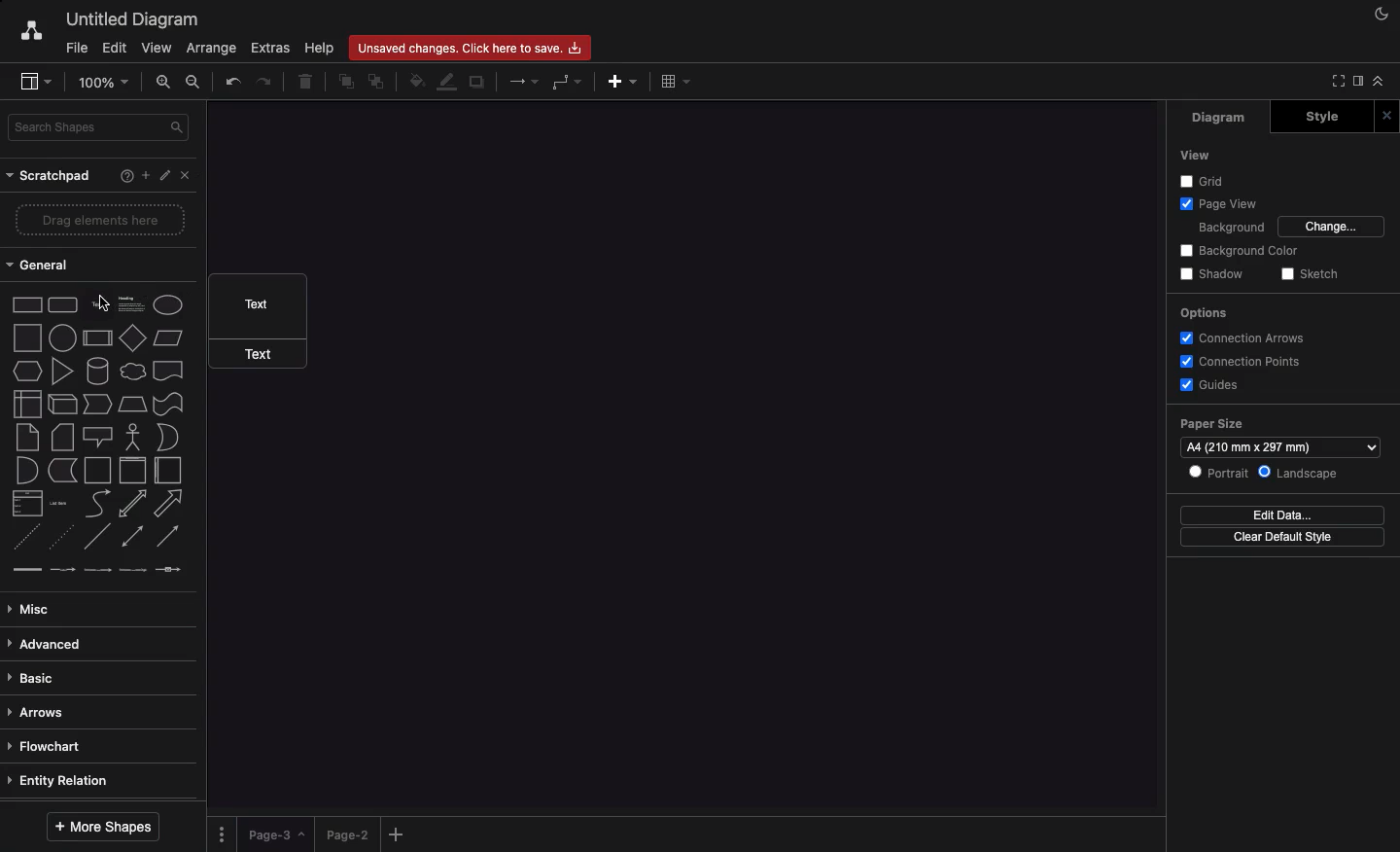 The width and height of the screenshot is (1400, 852). I want to click on Add, so click(145, 174).